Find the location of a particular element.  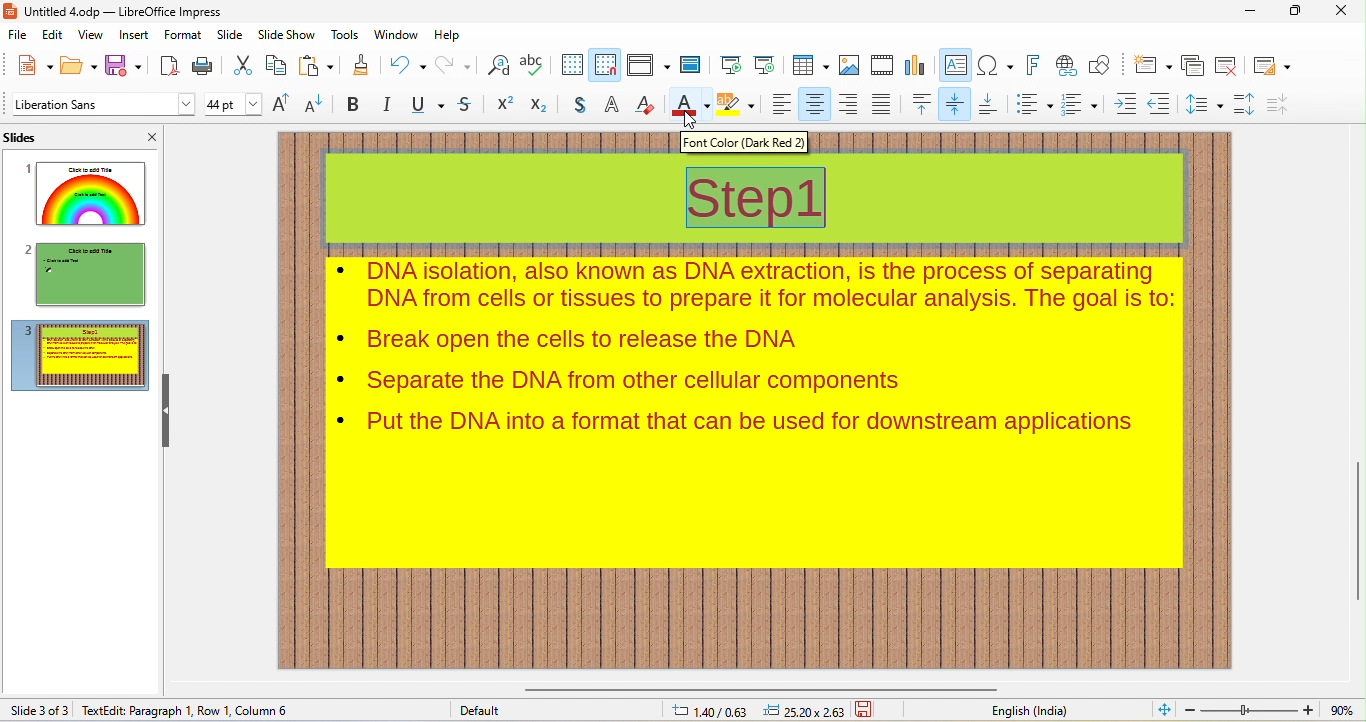

duplicate slide is located at coordinates (1194, 67).